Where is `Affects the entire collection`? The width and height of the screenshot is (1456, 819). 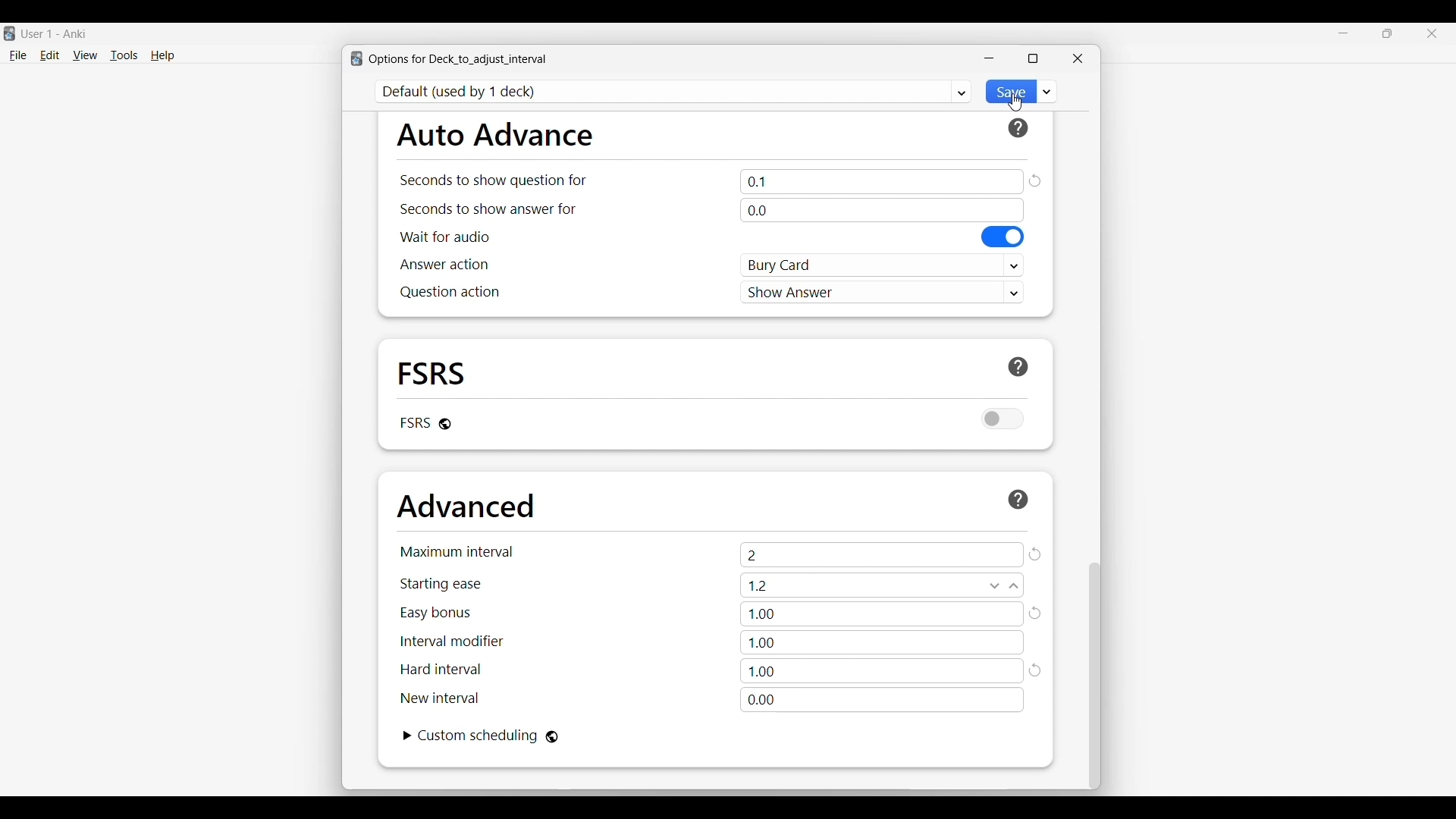
Affects the entire collection is located at coordinates (552, 737).